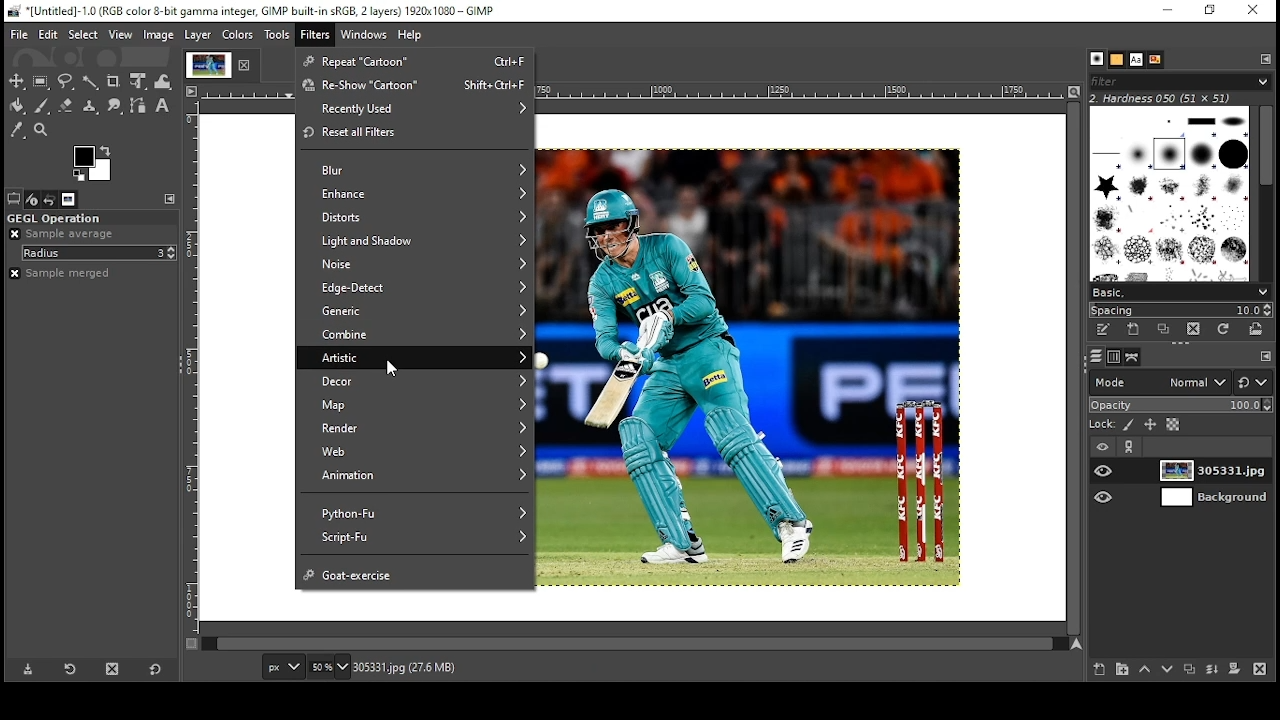  Describe the element at coordinates (1178, 292) in the screenshot. I see `select brush collection` at that location.